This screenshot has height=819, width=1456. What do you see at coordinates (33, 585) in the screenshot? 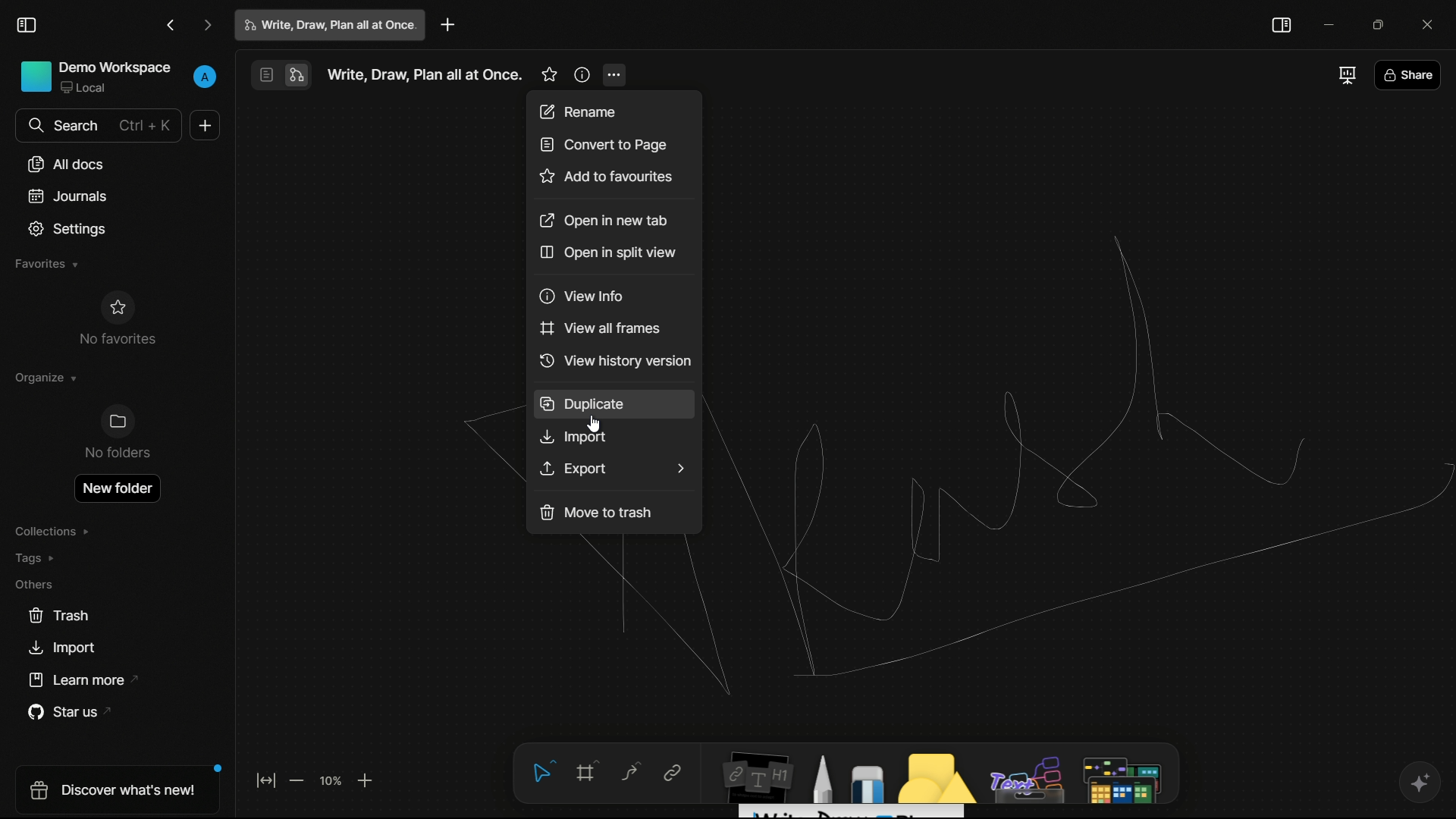
I see `others` at bounding box center [33, 585].